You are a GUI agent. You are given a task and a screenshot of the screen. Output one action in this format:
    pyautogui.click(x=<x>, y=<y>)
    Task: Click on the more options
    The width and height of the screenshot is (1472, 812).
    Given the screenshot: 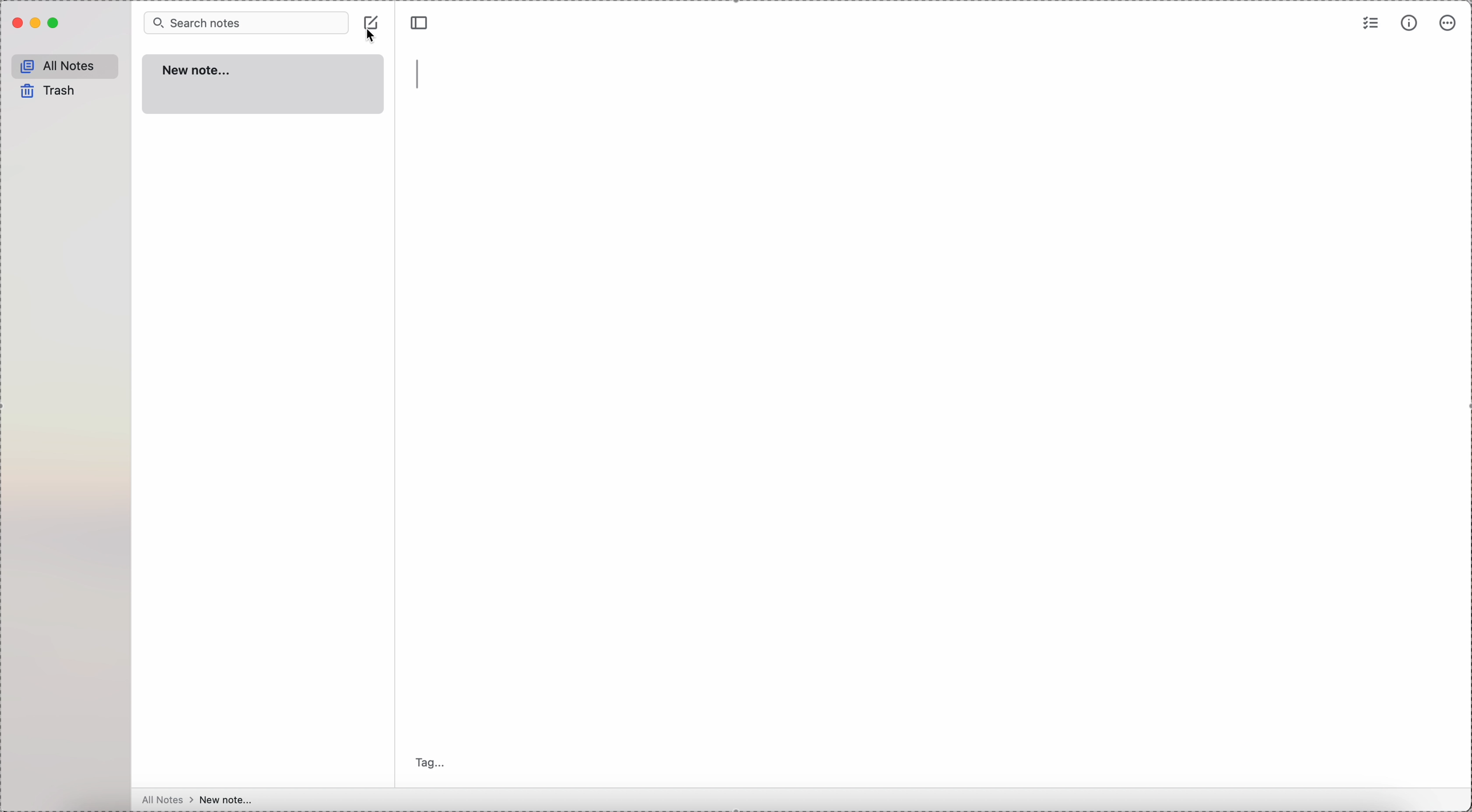 What is the action you would take?
    pyautogui.click(x=1449, y=22)
    